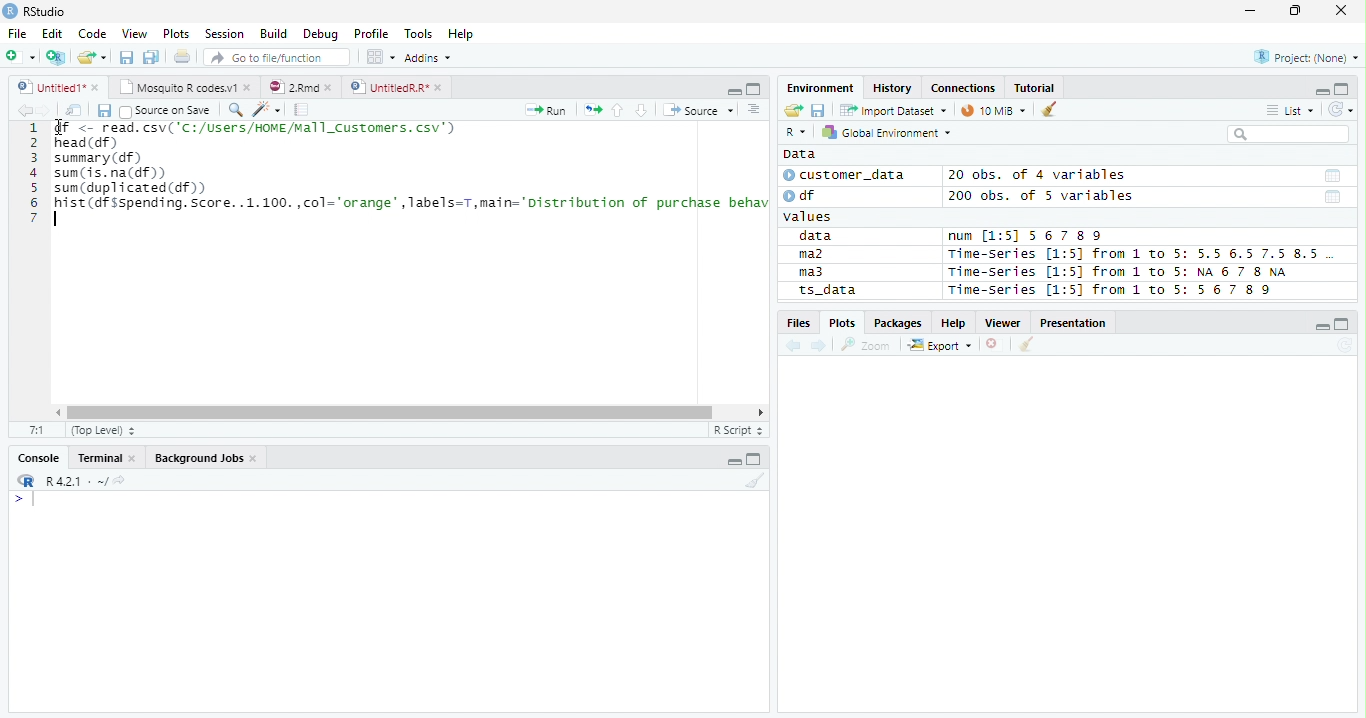  I want to click on Previous, so click(796, 346).